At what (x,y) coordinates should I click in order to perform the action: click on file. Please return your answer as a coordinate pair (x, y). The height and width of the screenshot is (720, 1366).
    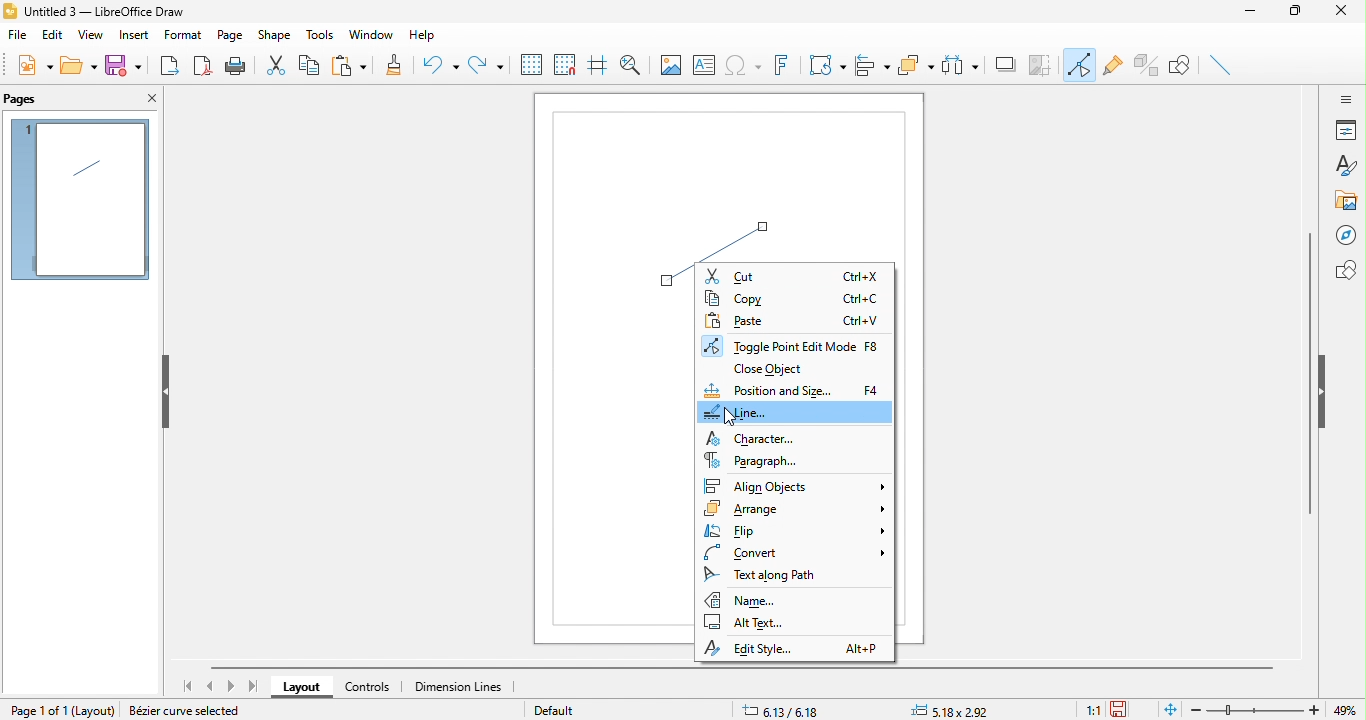
    Looking at the image, I should click on (21, 38).